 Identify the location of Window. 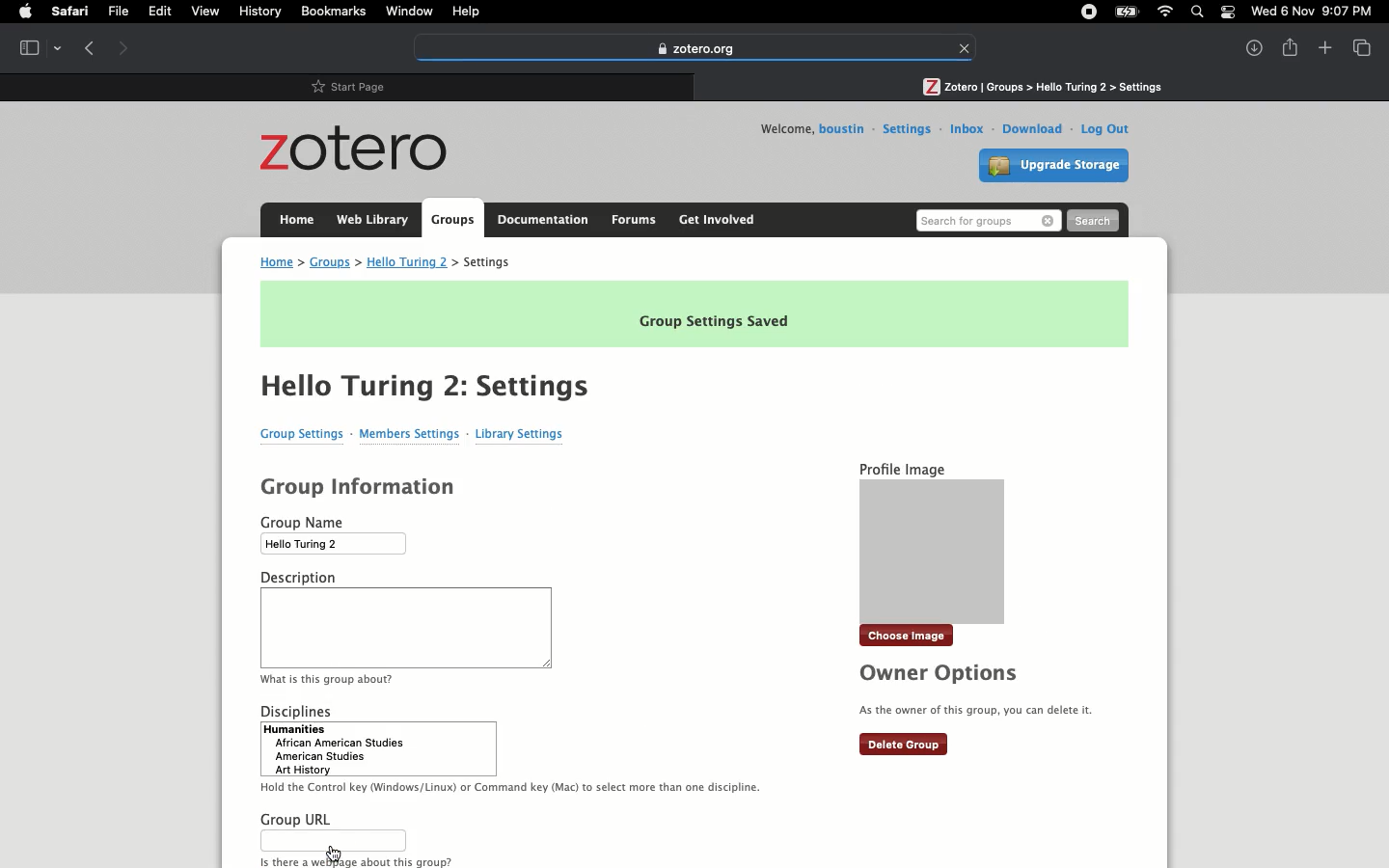
(409, 11).